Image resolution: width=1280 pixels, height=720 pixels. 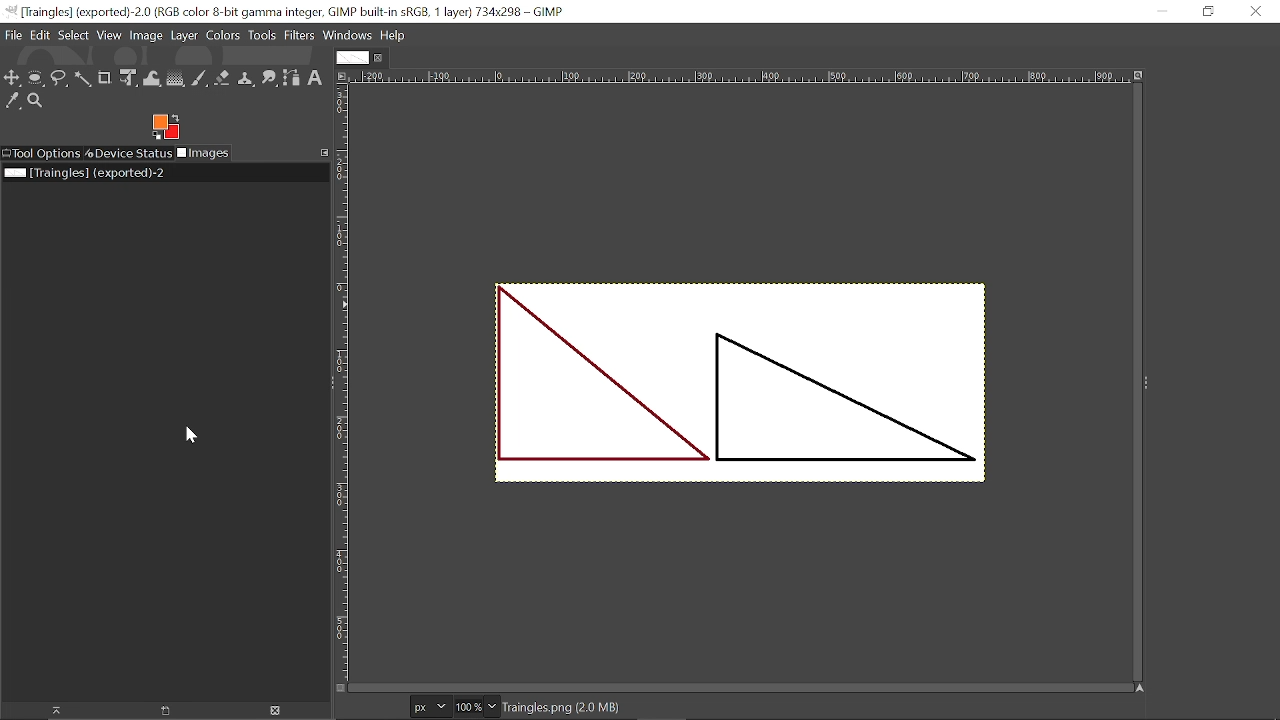 What do you see at coordinates (106, 174) in the screenshot?
I see `Current file` at bounding box center [106, 174].